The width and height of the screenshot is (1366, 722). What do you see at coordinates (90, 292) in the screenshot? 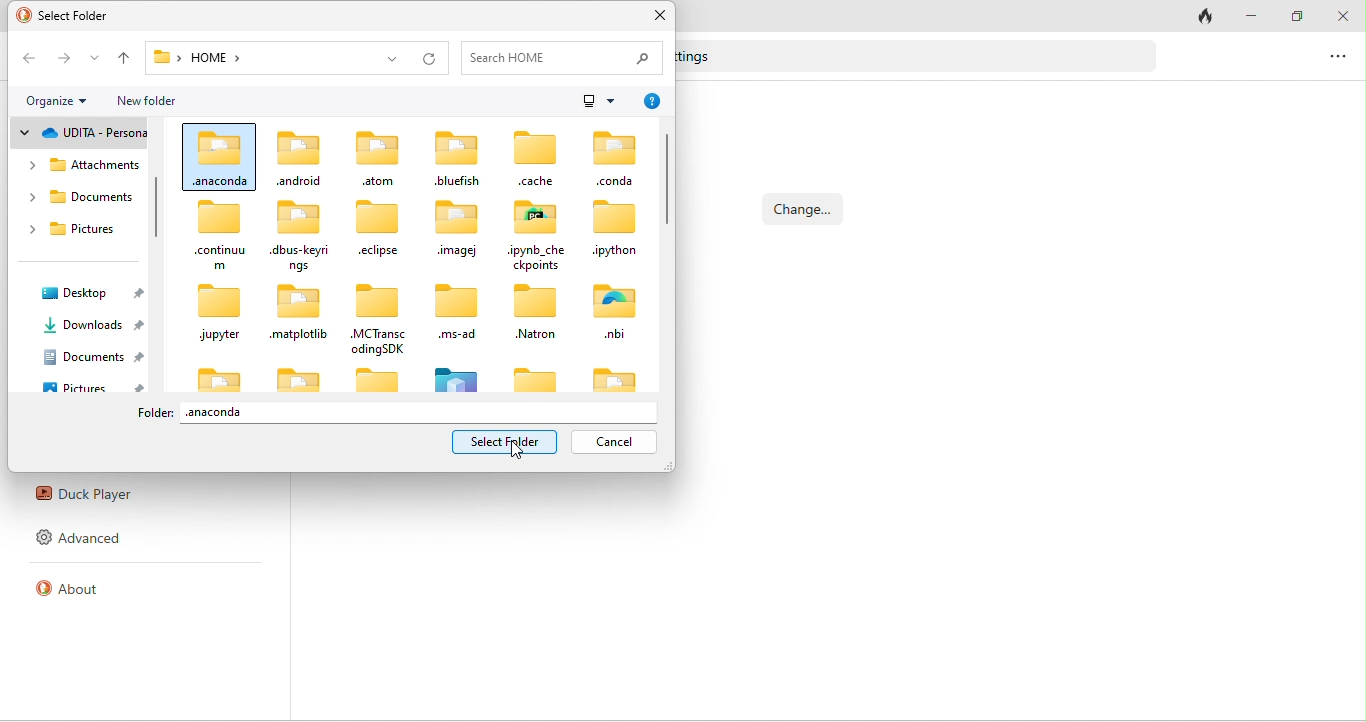
I see `desktop` at bounding box center [90, 292].